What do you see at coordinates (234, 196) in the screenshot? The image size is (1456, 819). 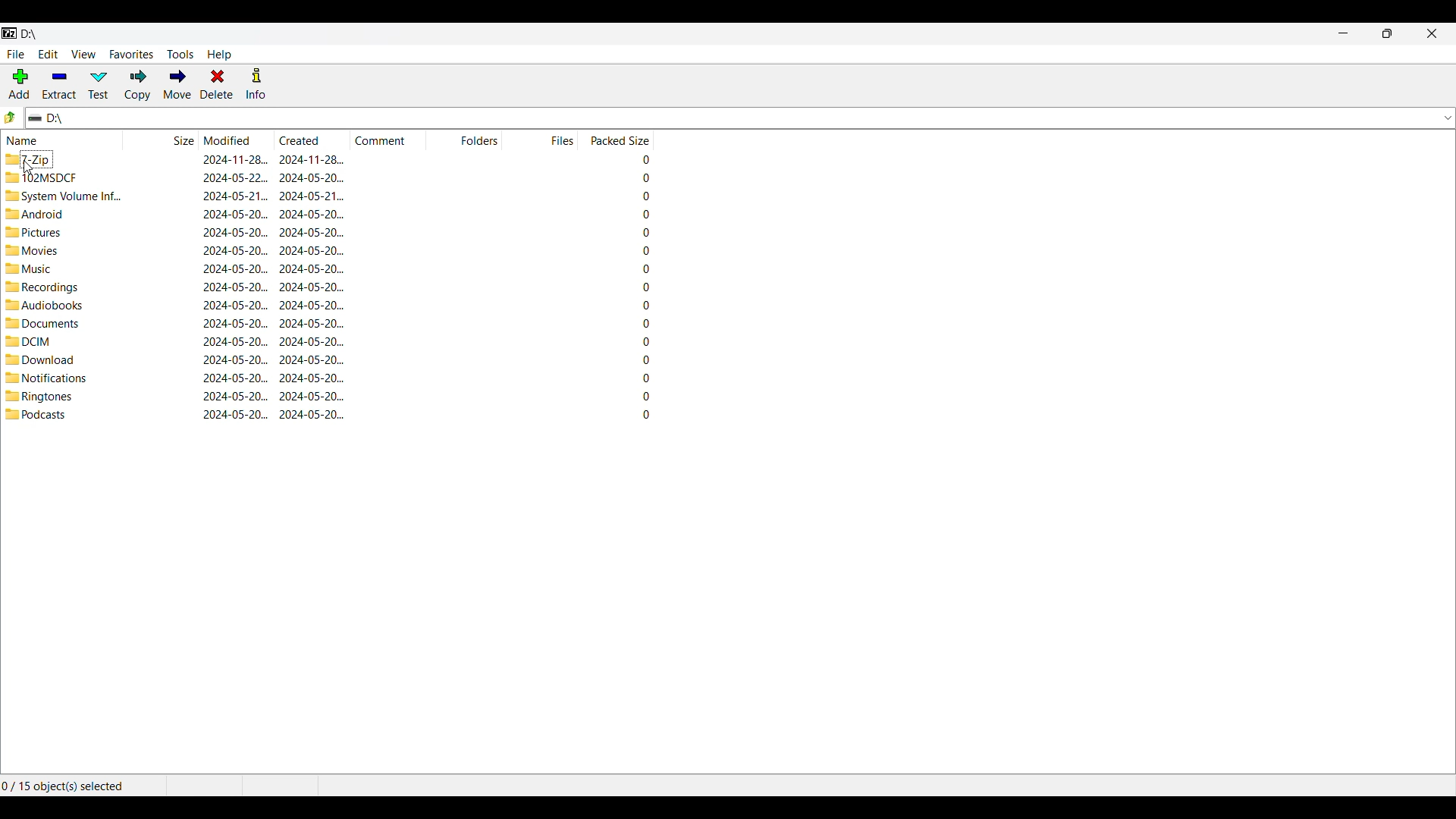 I see `modified date & time` at bounding box center [234, 196].